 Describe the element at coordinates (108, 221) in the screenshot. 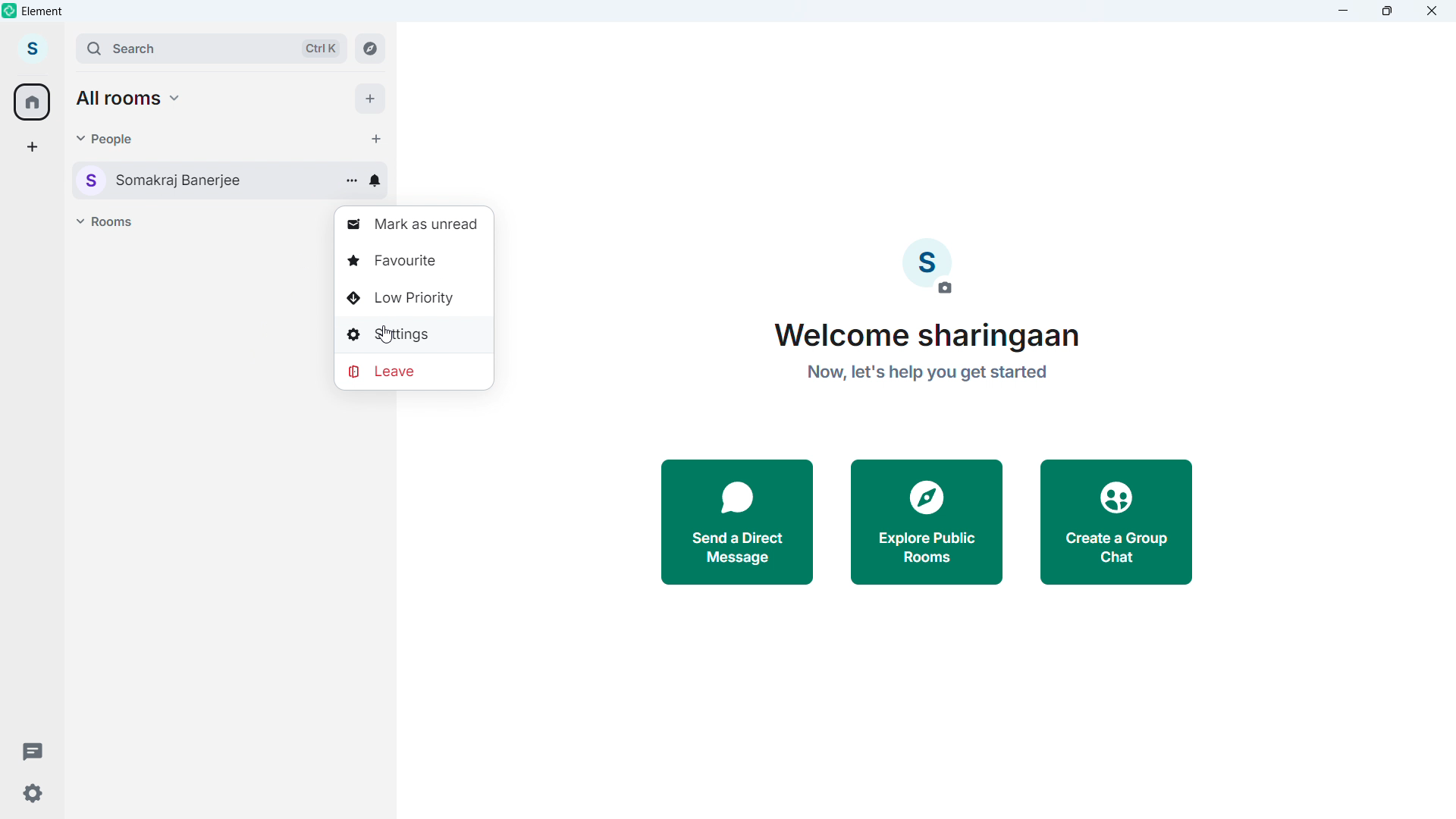

I see `Rooms ` at that location.